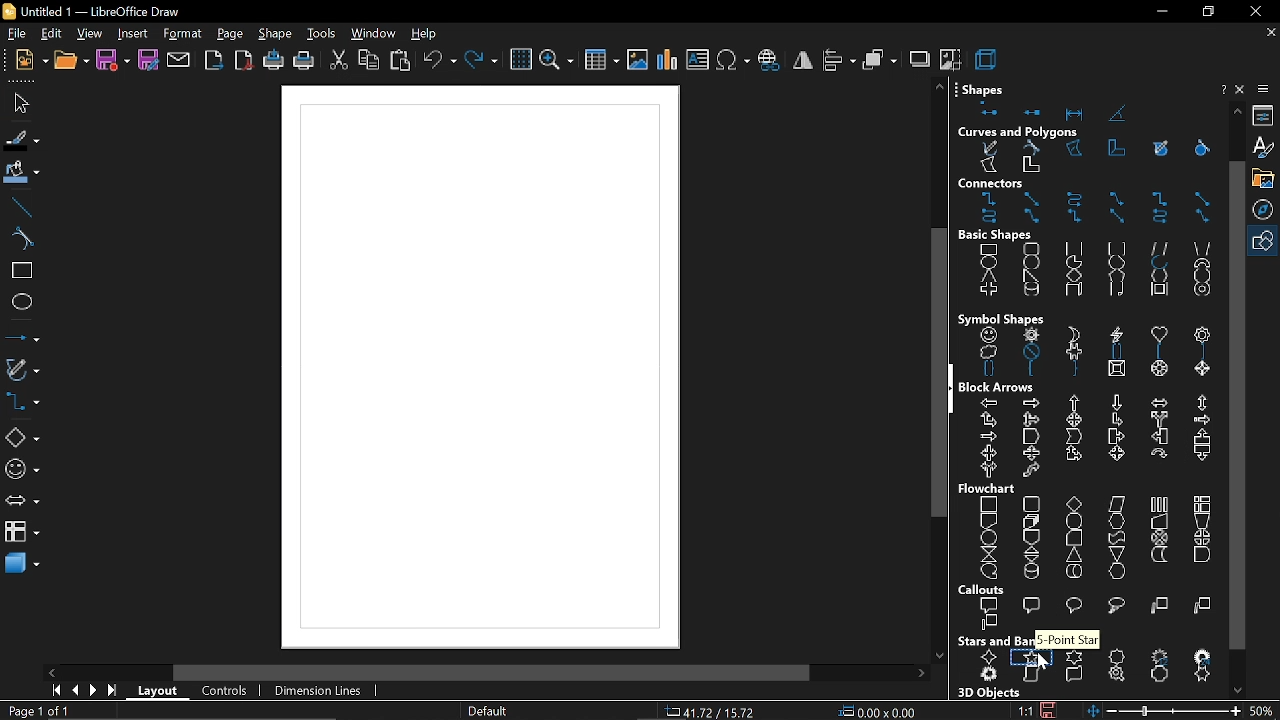 The height and width of the screenshot is (720, 1280). What do you see at coordinates (983, 589) in the screenshot?
I see `callouts` at bounding box center [983, 589].